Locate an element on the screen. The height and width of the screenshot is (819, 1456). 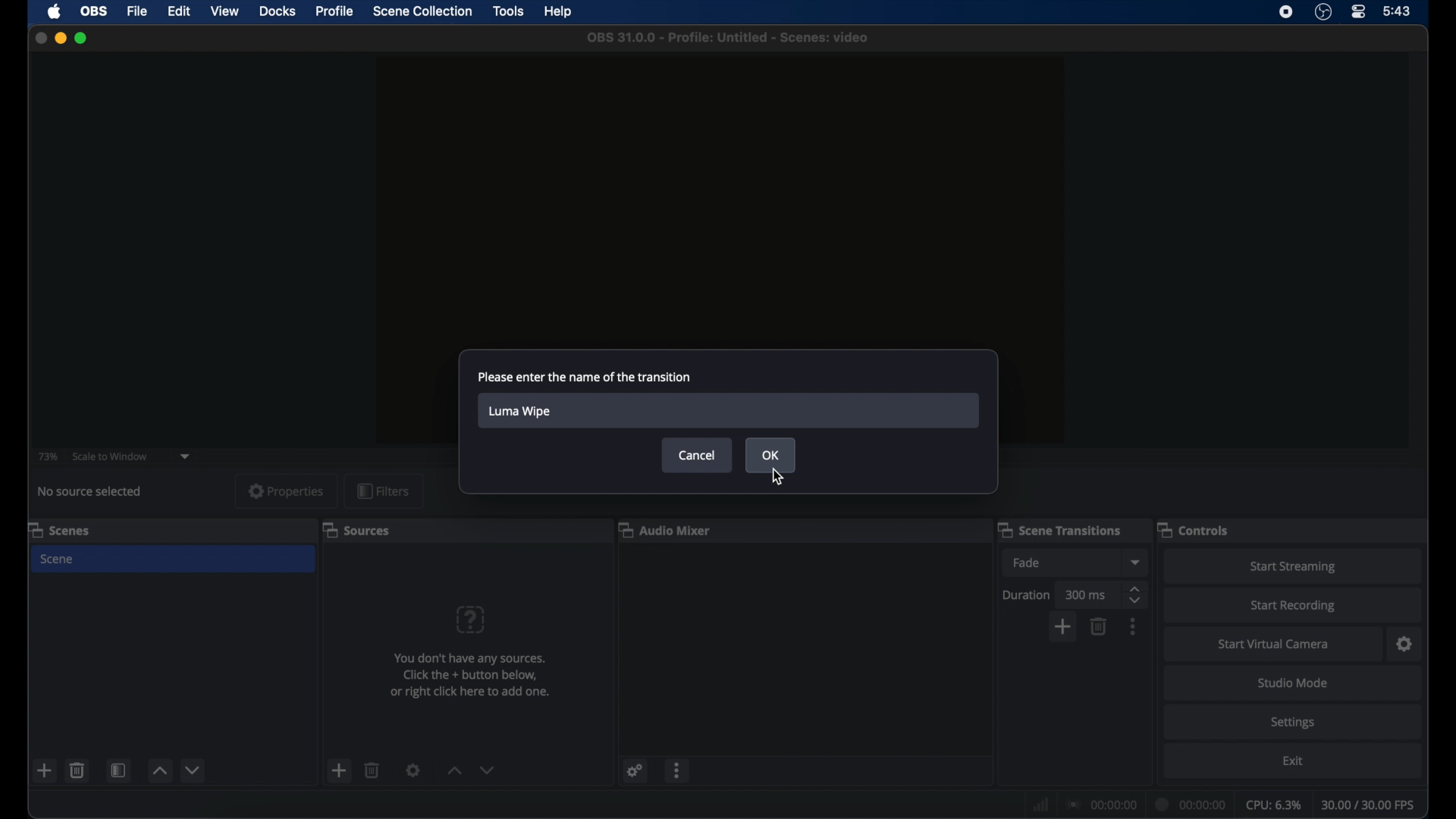
add is located at coordinates (45, 770).